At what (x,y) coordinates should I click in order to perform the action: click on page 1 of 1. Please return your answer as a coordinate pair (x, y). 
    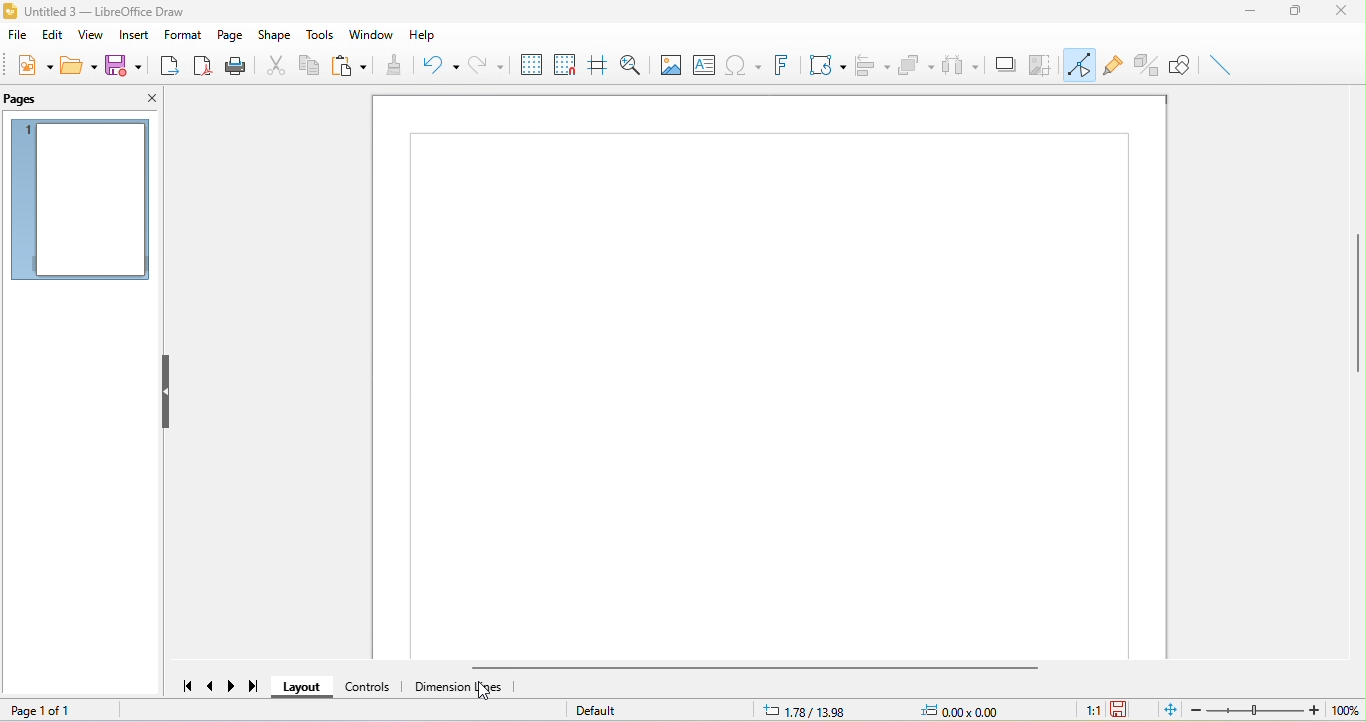
    Looking at the image, I should click on (56, 709).